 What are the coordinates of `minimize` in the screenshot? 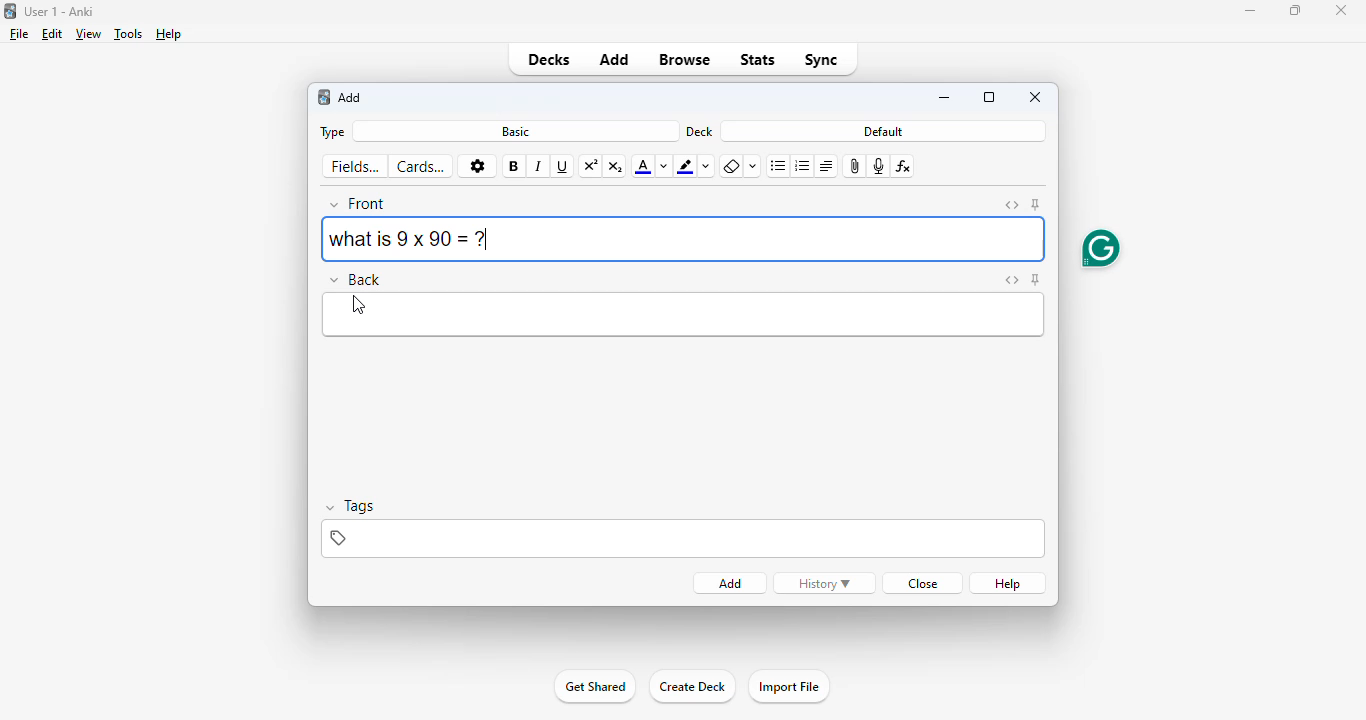 It's located at (1249, 11).